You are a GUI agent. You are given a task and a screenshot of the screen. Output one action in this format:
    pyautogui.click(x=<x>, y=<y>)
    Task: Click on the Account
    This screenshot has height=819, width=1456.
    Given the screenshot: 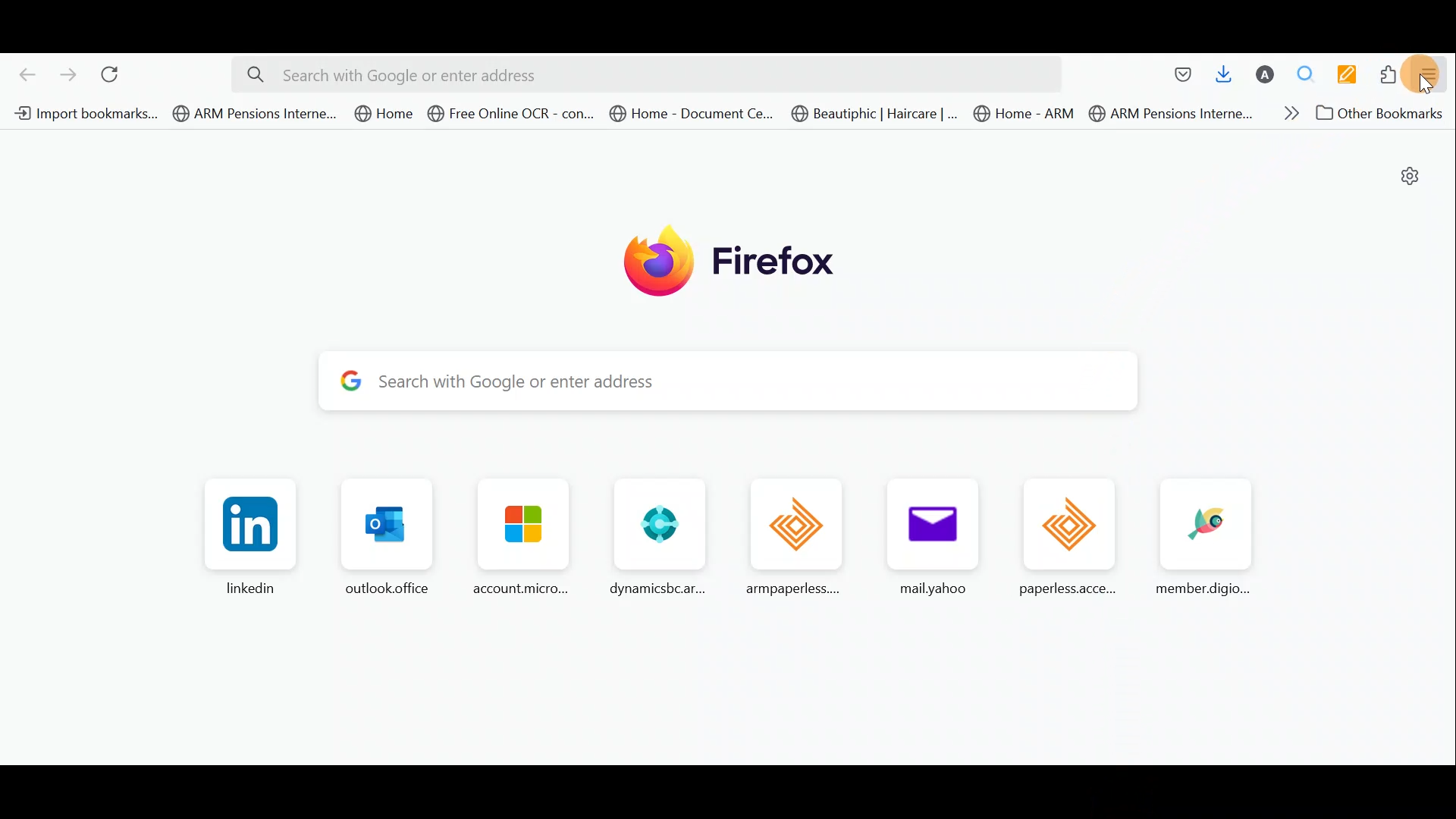 What is the action you would take?
    pyautogui.click(x=1266, y=76)
    